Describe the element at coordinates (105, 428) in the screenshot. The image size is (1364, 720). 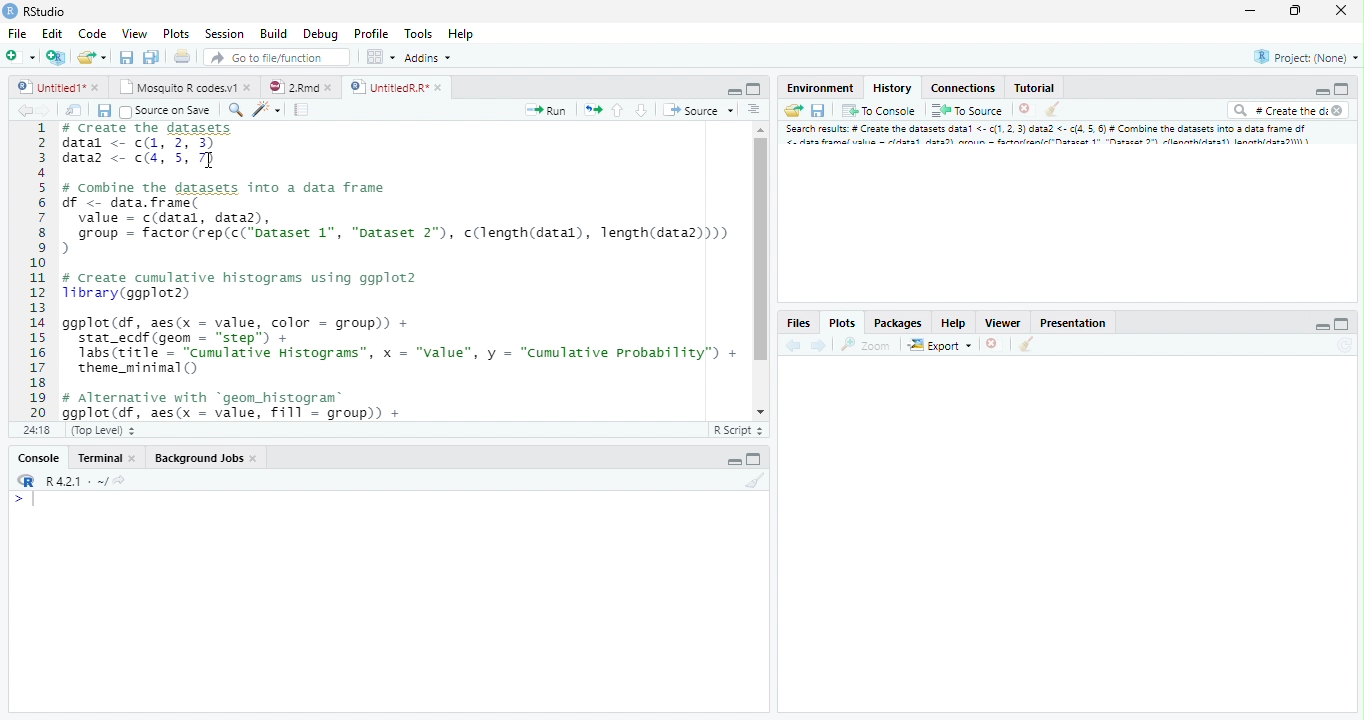
I see `Top level` at that location.